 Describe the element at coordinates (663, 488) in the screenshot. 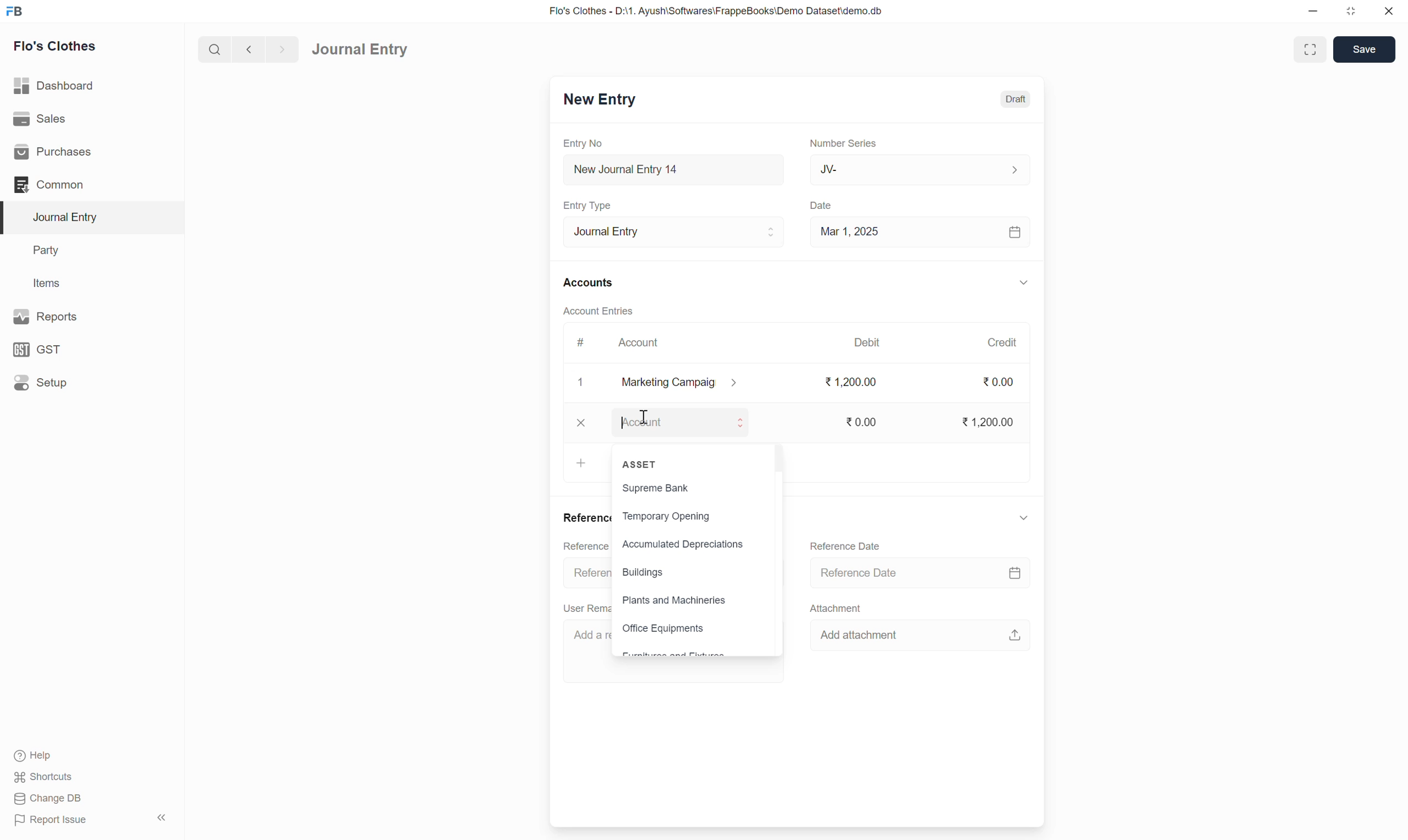

I see `Supreme Bank` at that location.